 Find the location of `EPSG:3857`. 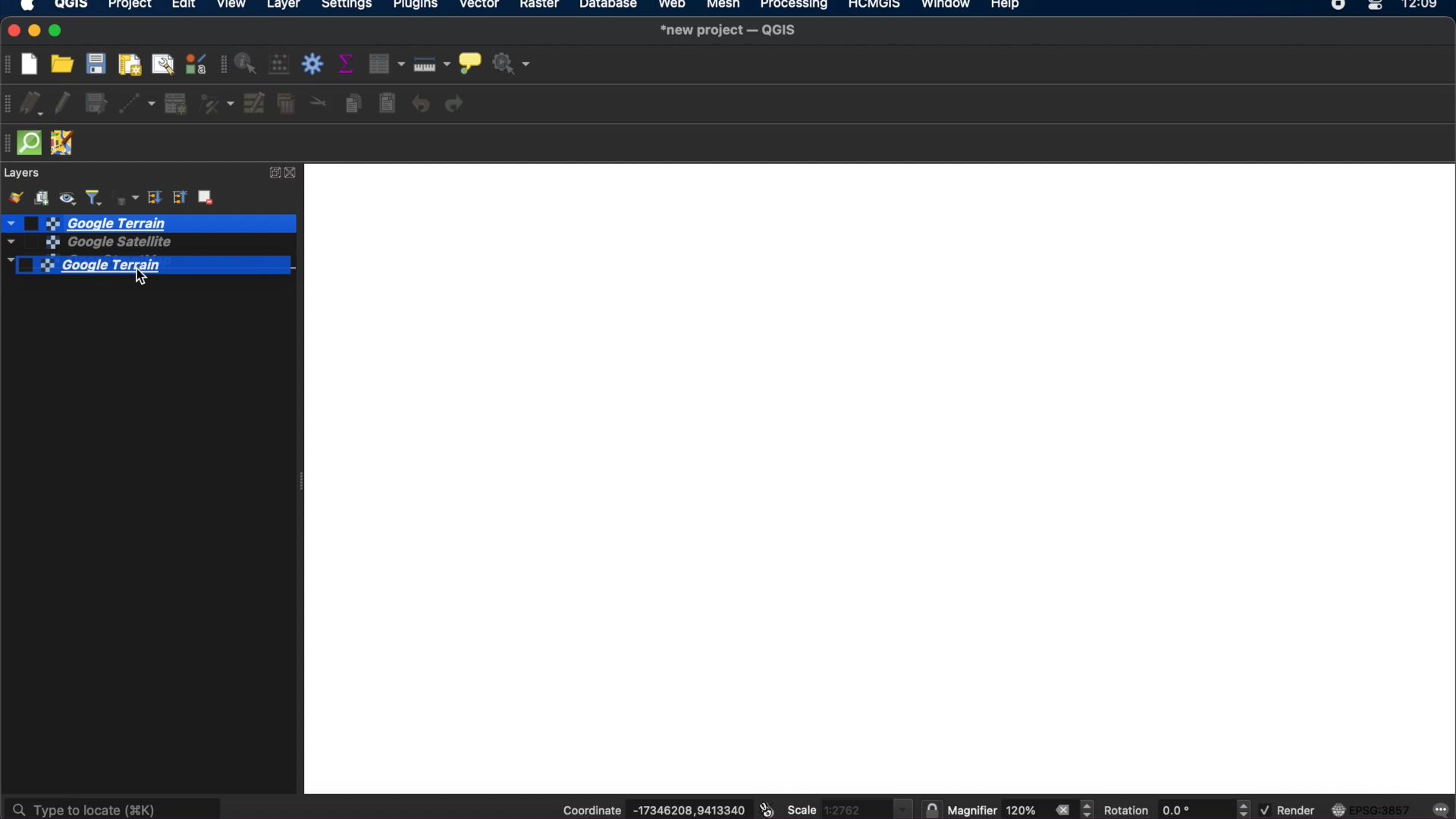

EPSG:3857 is located at coordinates (1374, 809).